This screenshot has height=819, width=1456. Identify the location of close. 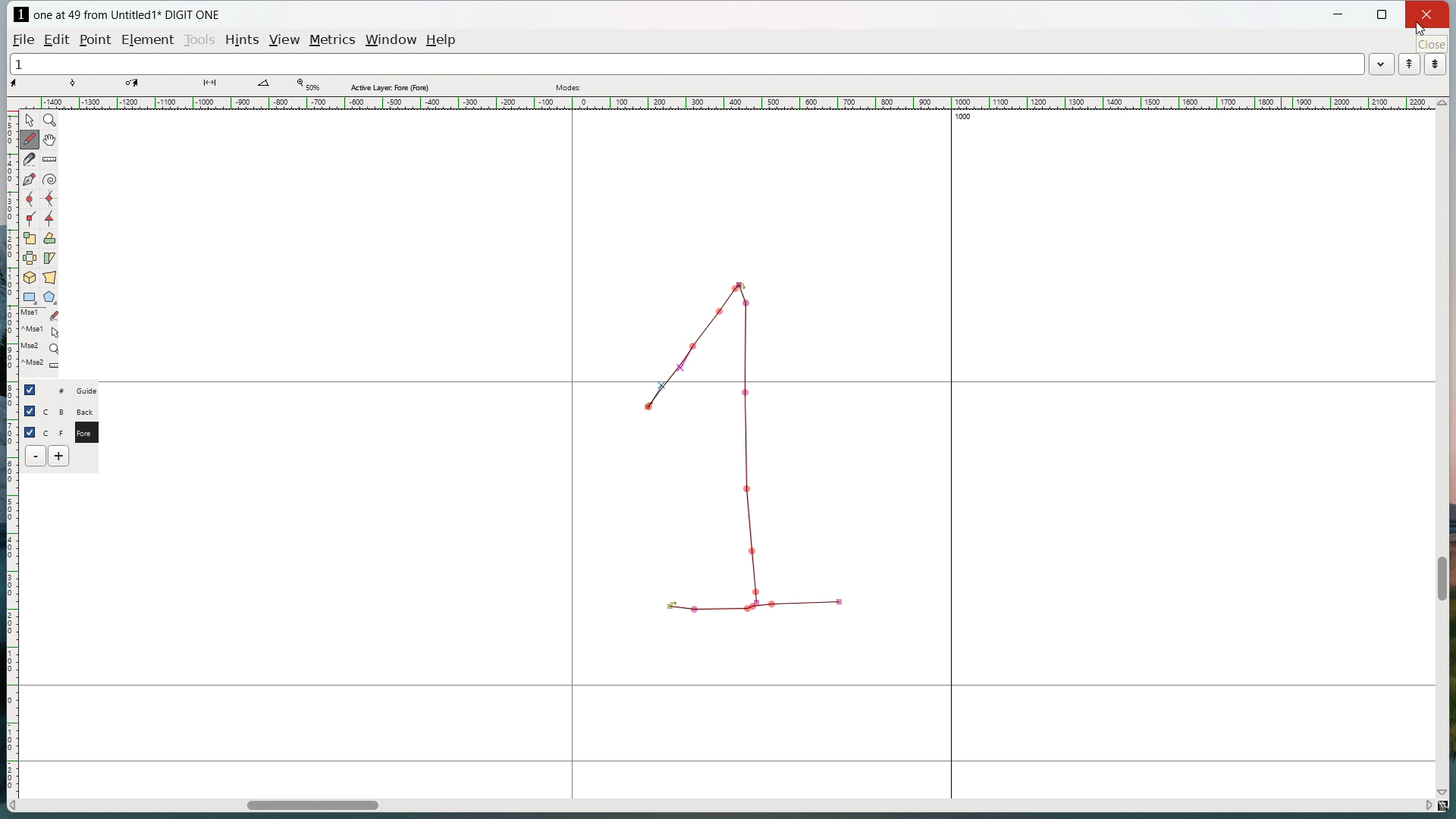
(1426, 14).